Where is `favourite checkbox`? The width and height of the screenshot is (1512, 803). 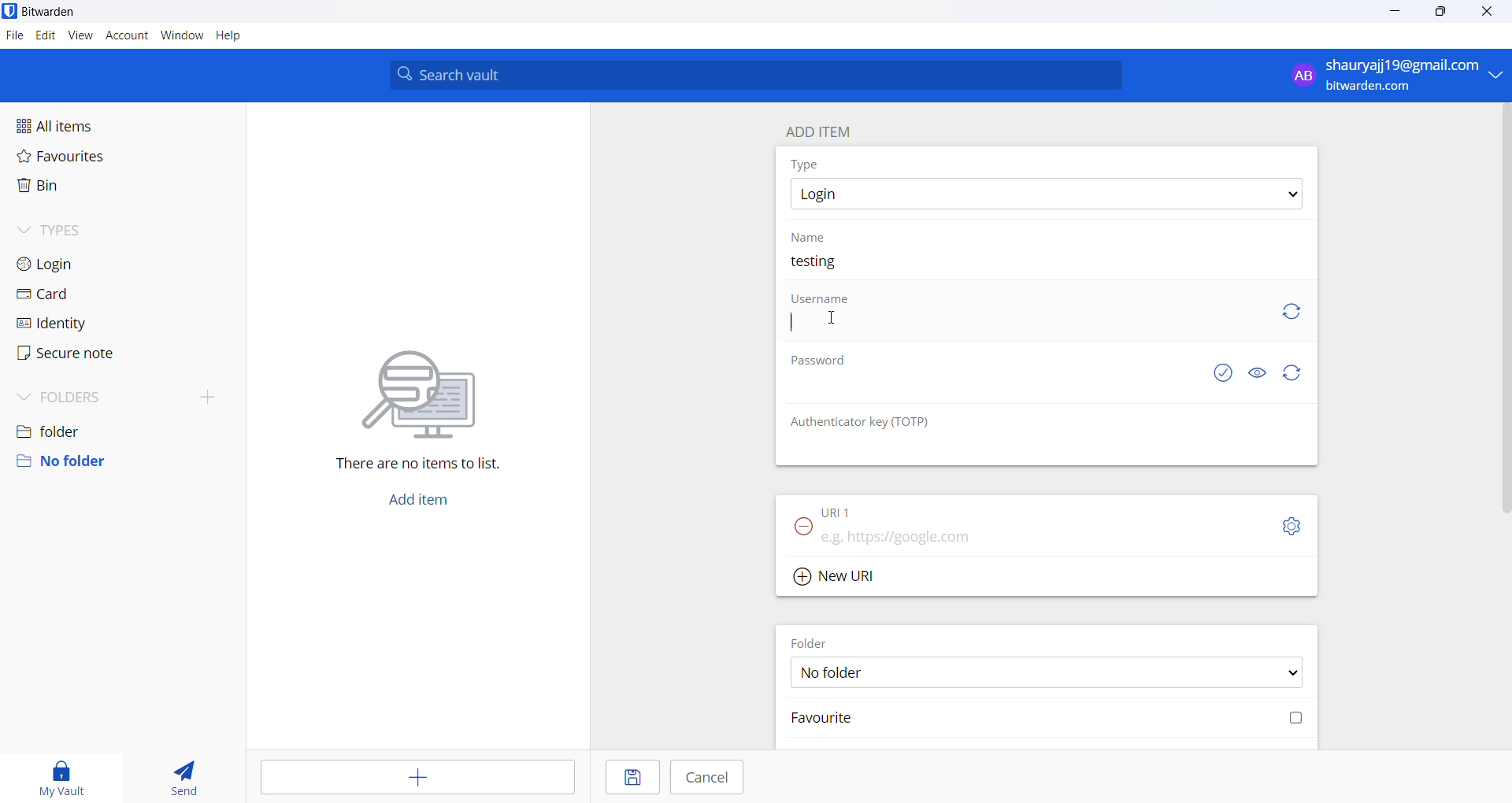
favourite checkbox is located at coordinates (1050, 718).